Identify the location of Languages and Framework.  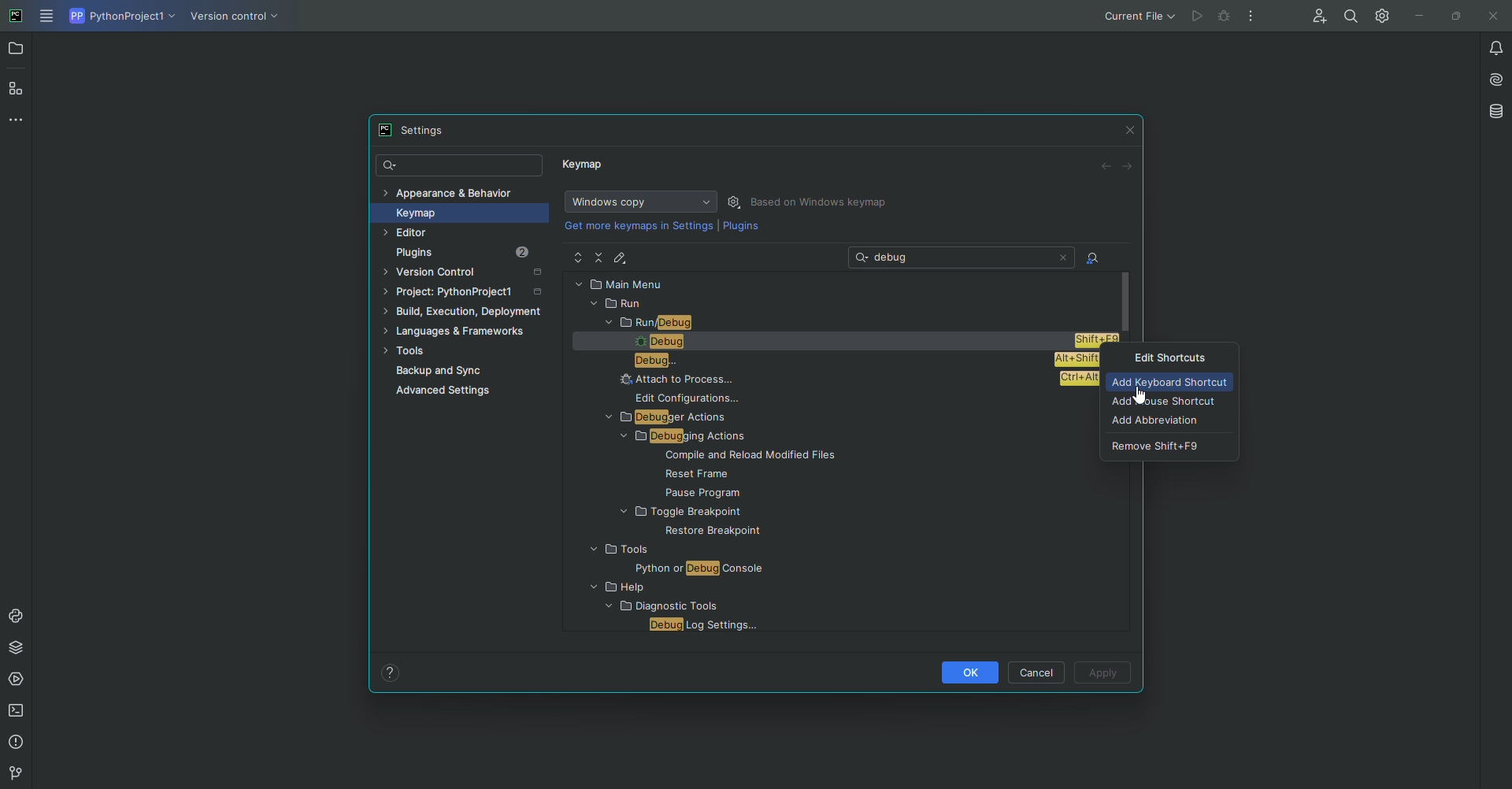
(461, 332).